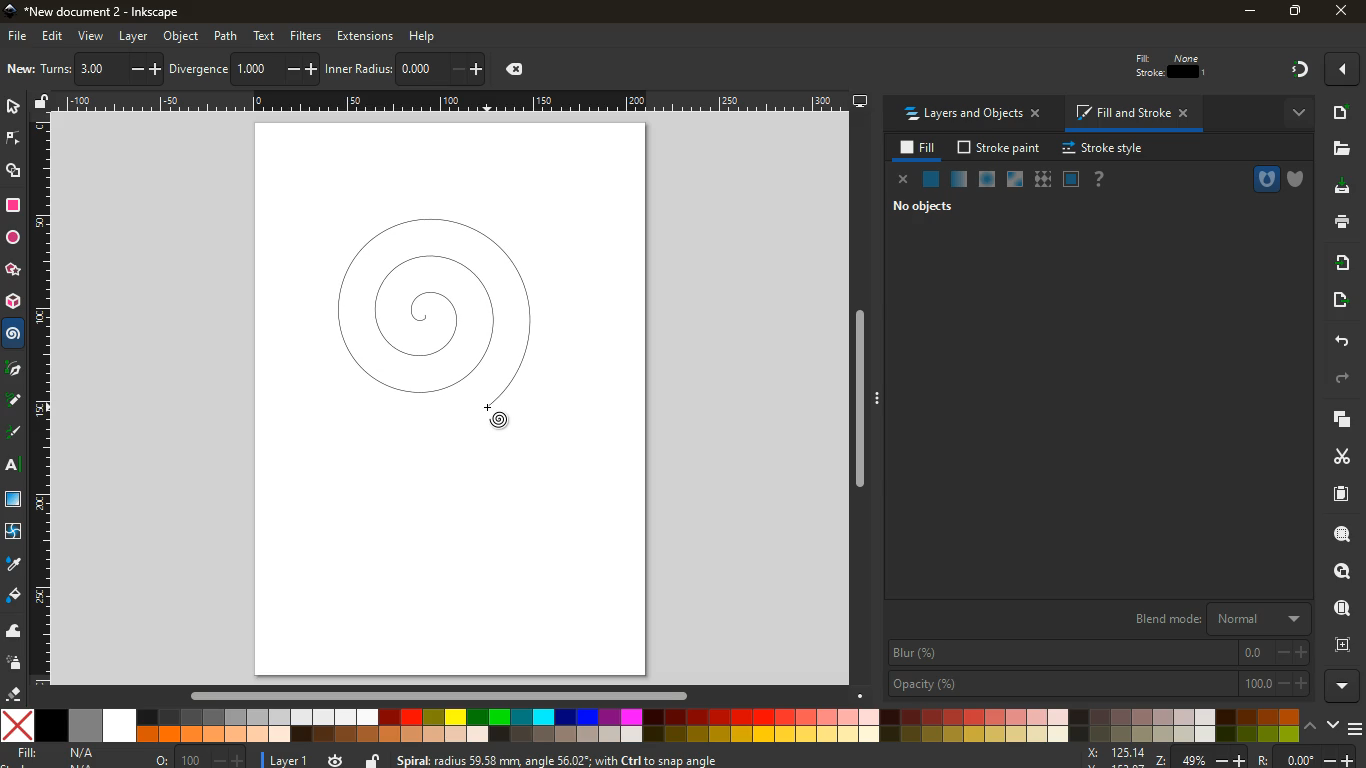  I want to click on square, so click(15, 207).